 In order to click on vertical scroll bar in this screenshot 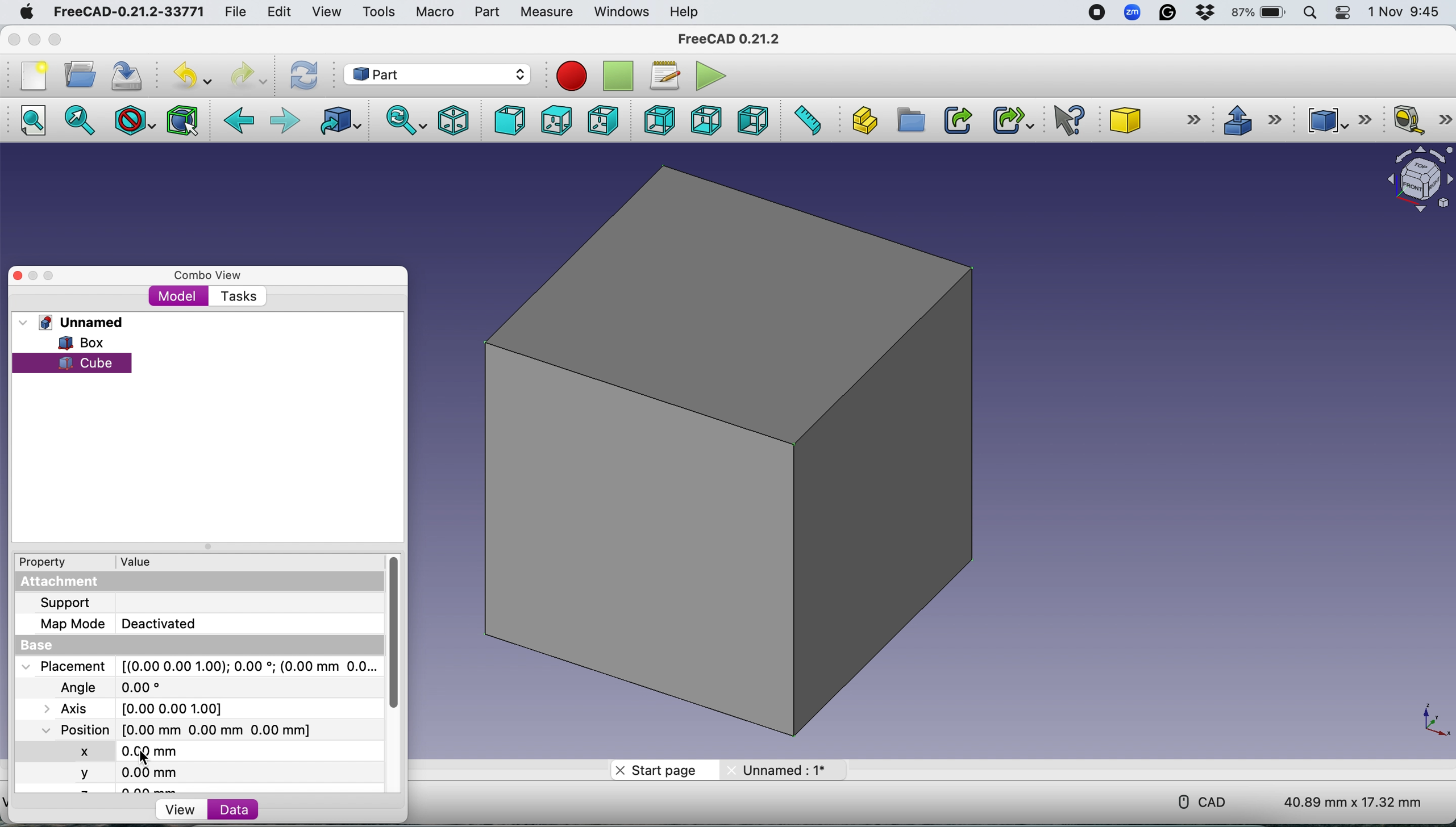, I will do `click(401, 632)`.